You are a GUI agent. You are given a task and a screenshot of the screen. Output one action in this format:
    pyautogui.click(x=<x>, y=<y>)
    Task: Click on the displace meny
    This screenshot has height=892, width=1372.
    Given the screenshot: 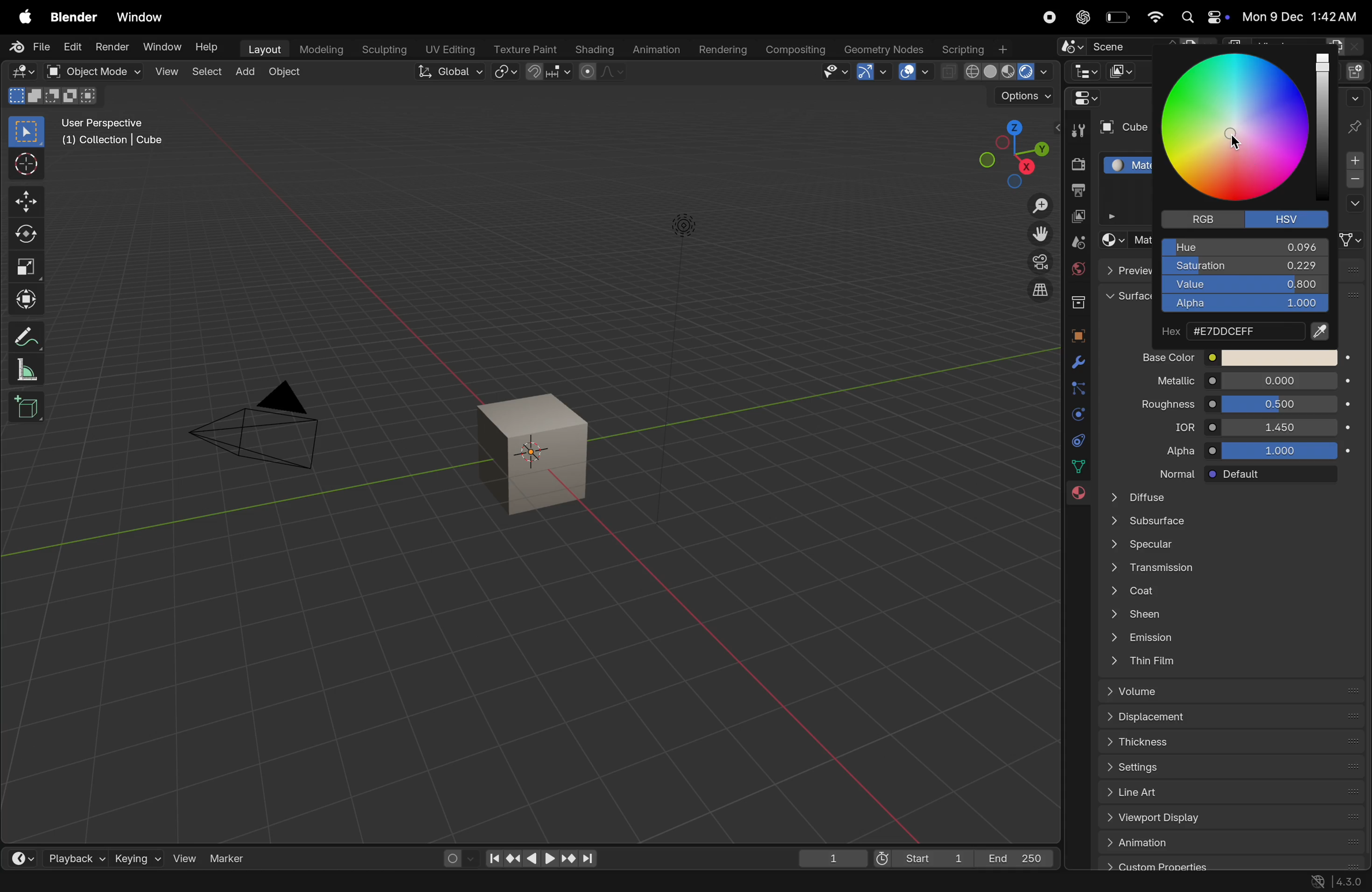 What is the action you would take?
    pyautogui.click(x=1232, y=718)
    